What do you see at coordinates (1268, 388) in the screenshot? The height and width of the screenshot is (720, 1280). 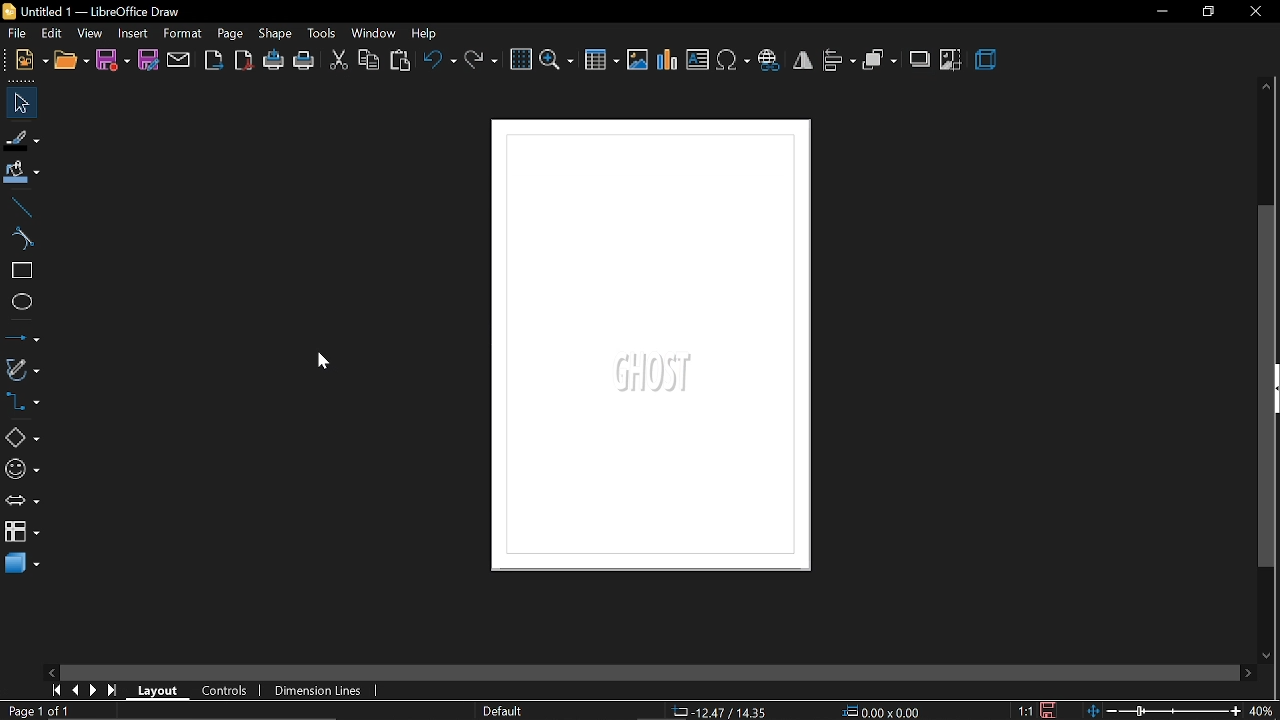 I see `vertical scrollbar` at bounding box center [1268, 388].